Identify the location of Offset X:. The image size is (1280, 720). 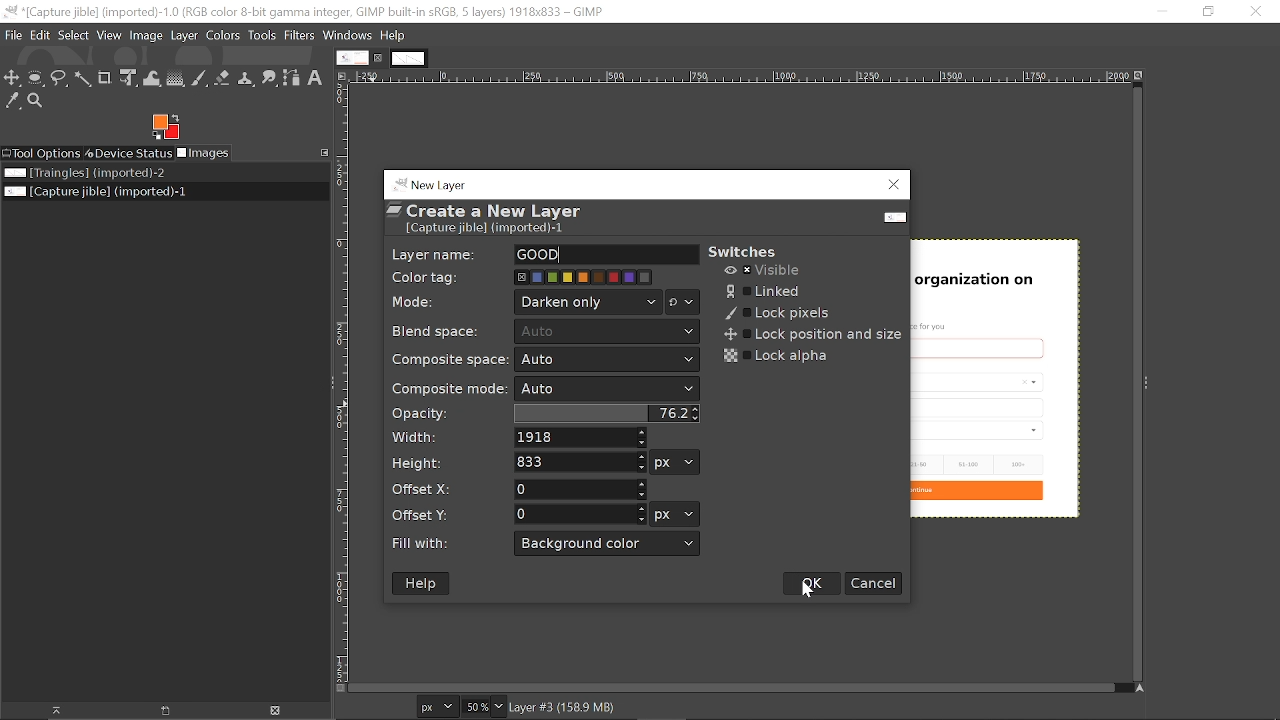
(431, 491).